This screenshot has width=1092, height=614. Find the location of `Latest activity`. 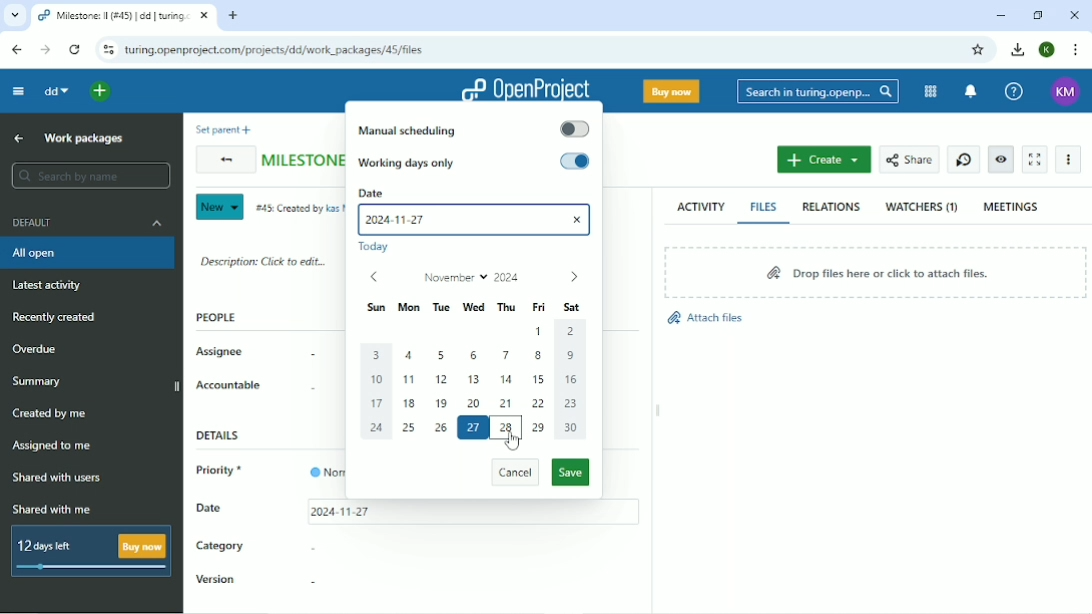

Latest activity is located at coordinates (53, 285).